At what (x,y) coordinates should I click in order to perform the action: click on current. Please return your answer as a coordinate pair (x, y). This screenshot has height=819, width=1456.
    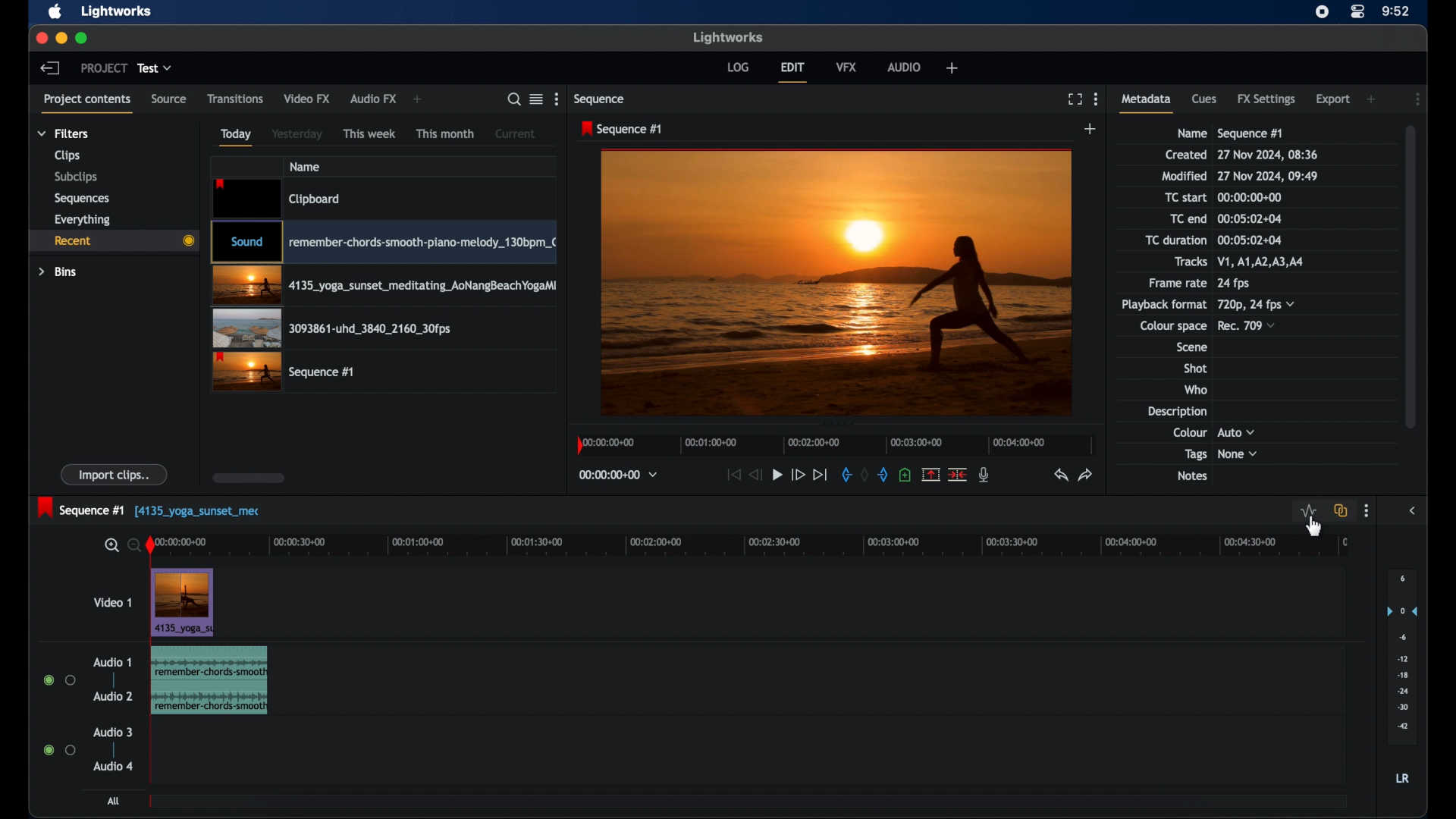
    Looking at the image, I should click on (517, 133).